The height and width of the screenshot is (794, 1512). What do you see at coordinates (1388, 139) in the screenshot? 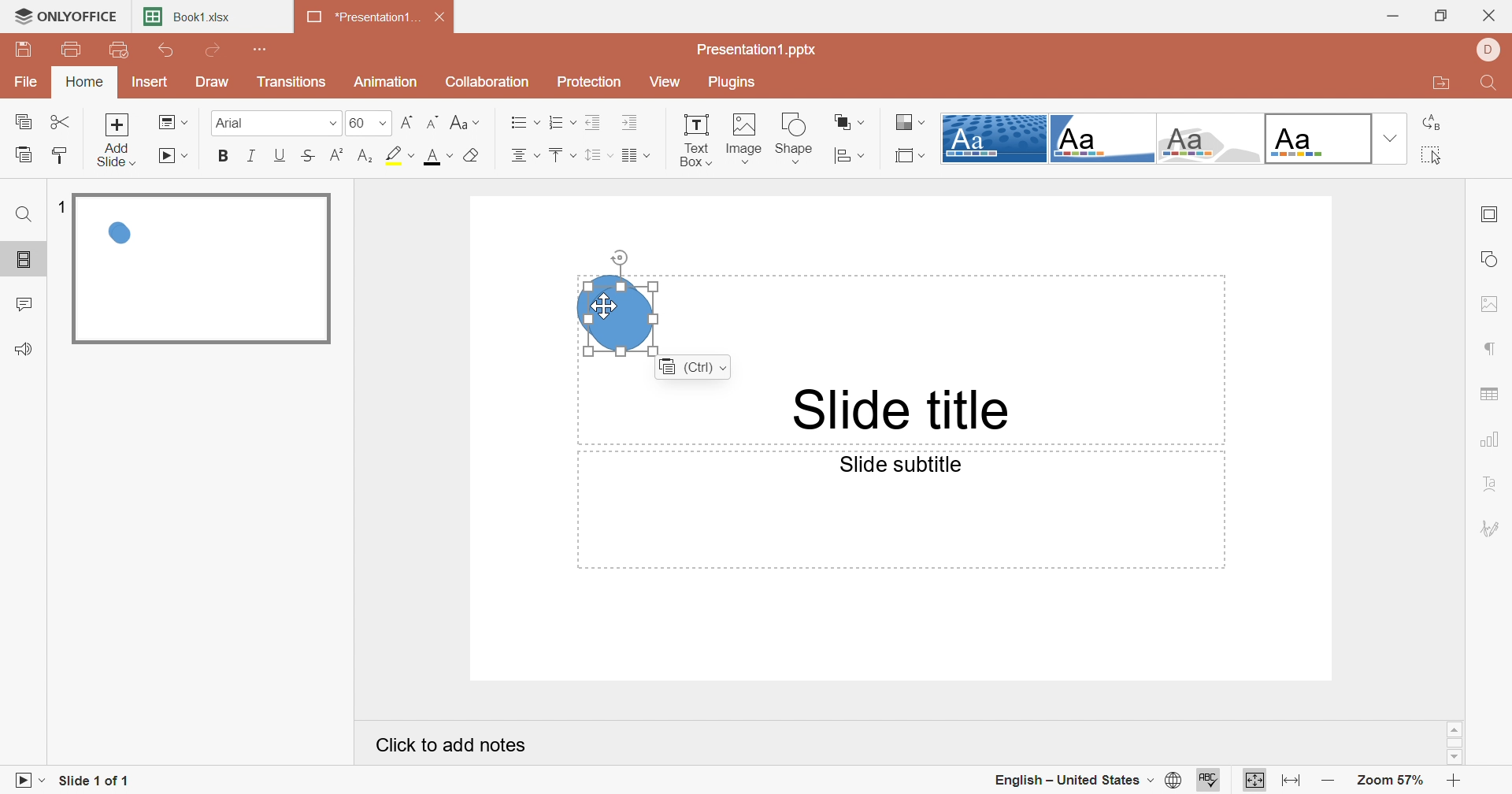
I see `Drop down` at bounding box center [1388, 139].